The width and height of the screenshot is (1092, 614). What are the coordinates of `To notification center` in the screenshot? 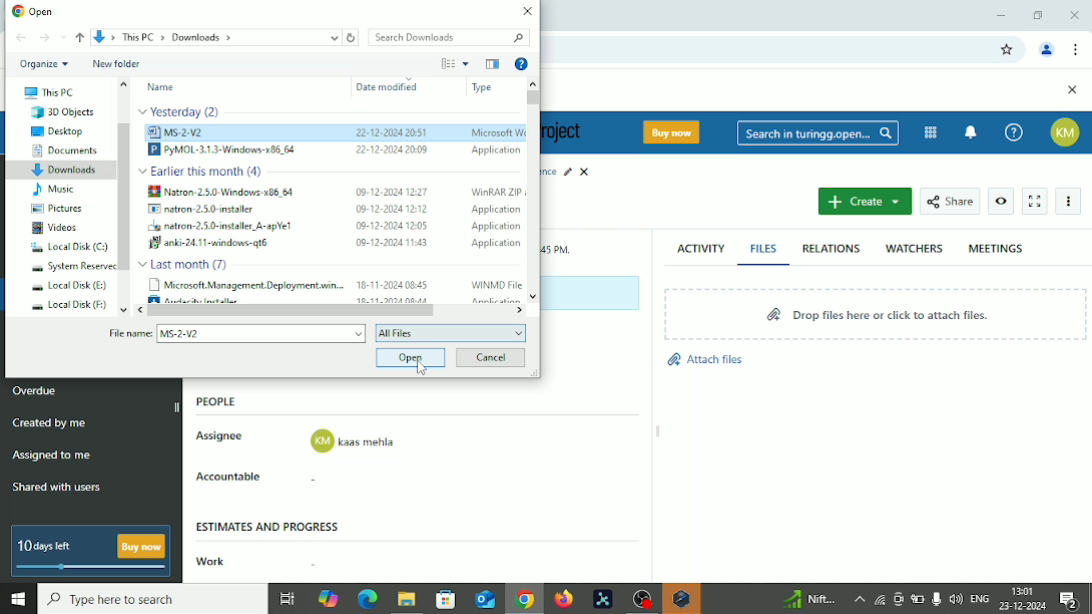 It's located at (971, 130).